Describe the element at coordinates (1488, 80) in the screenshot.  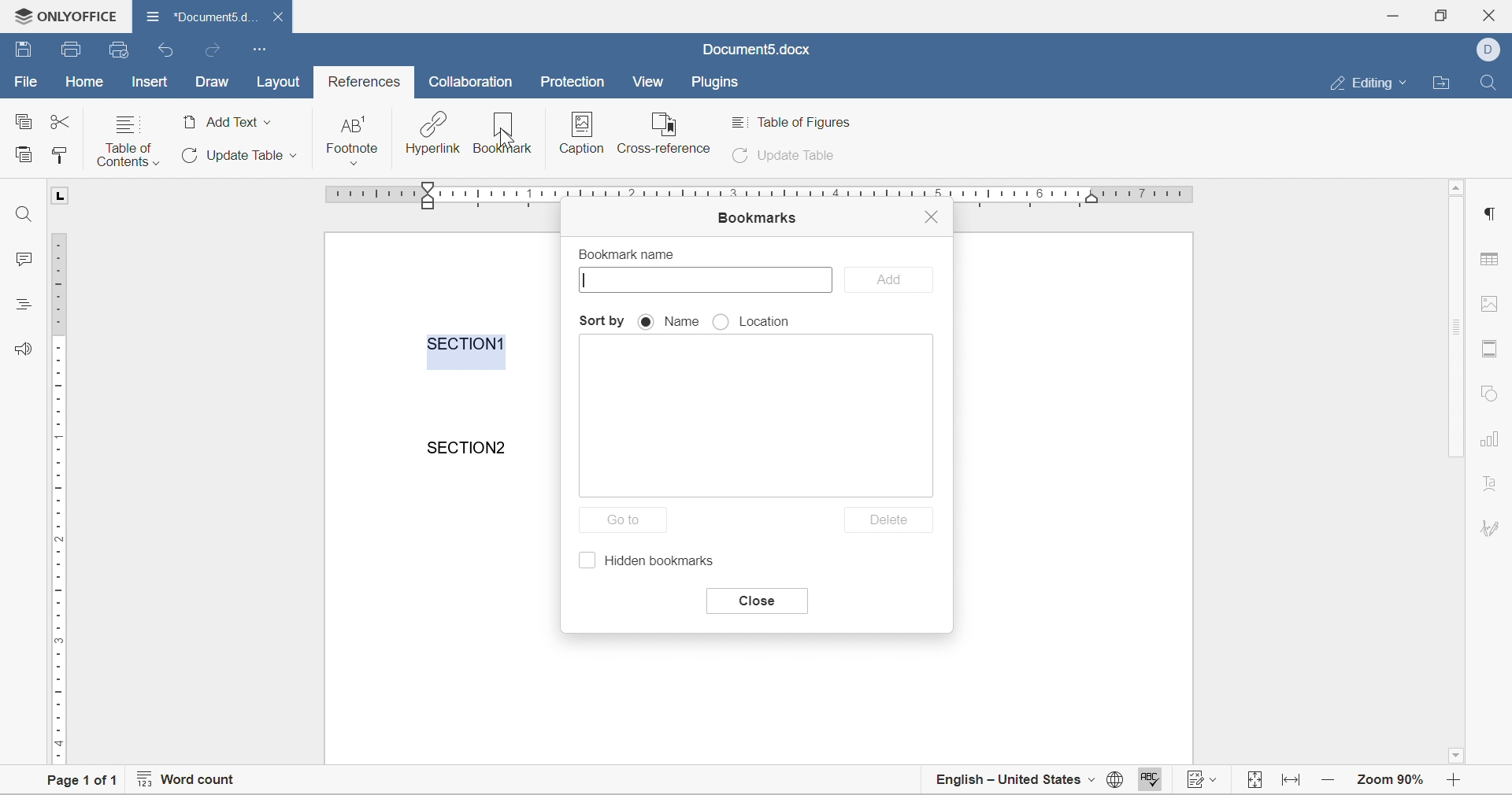
I see `find` at that location.